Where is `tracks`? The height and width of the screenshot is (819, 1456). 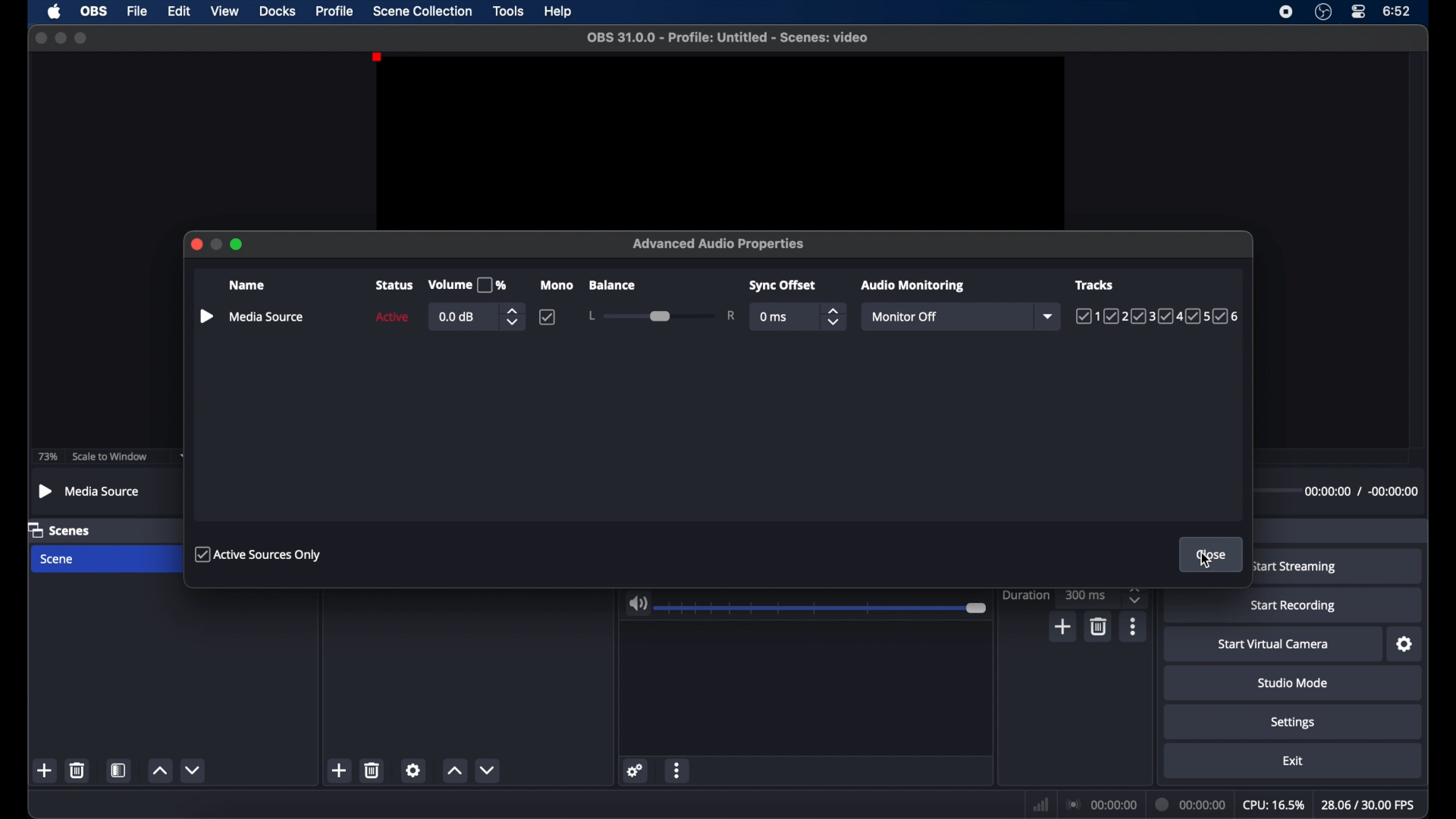 tracks is located at coordinates (1157, 317).